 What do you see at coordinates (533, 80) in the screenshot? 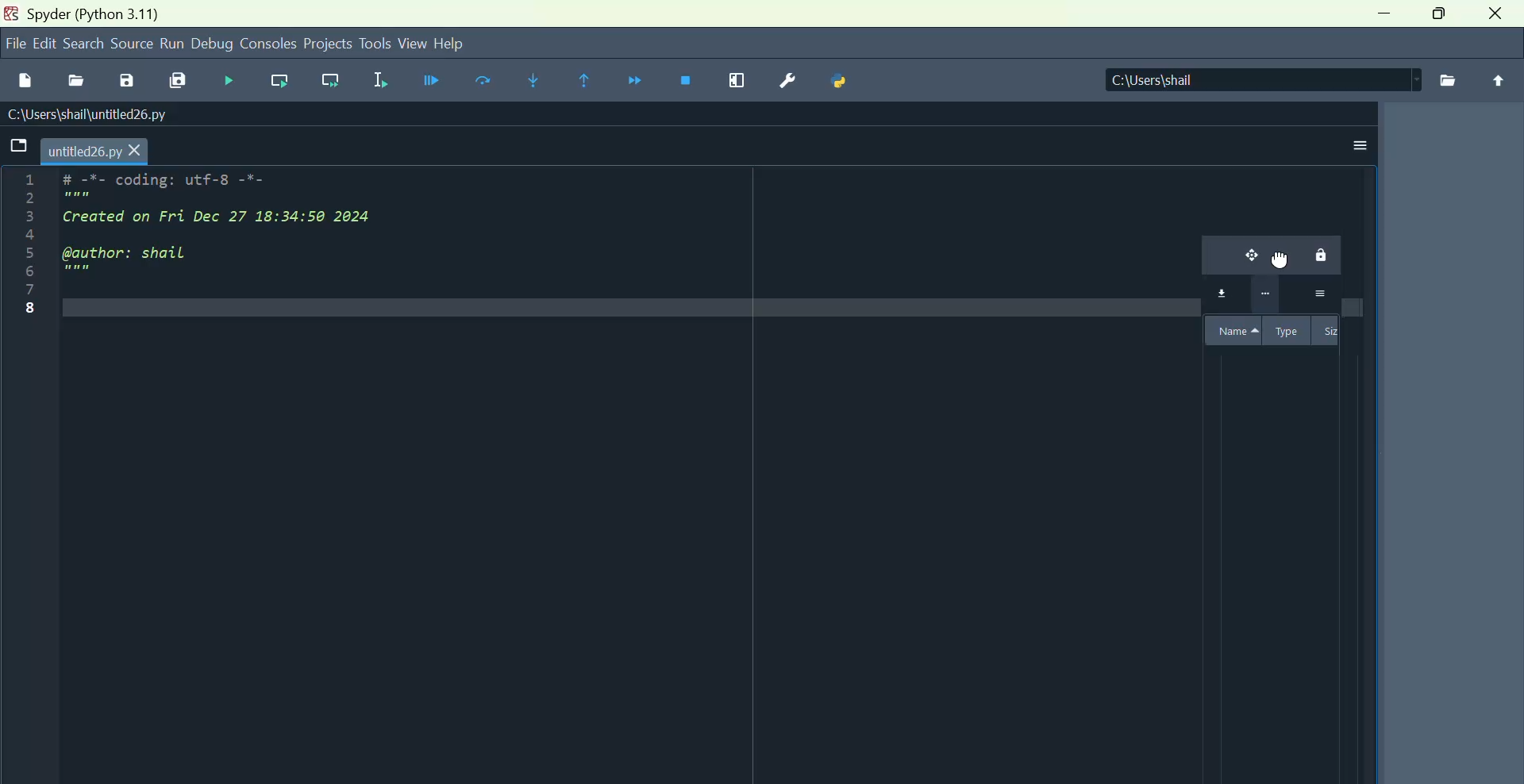
I see `Step into function` at bounding box center [533, 80].